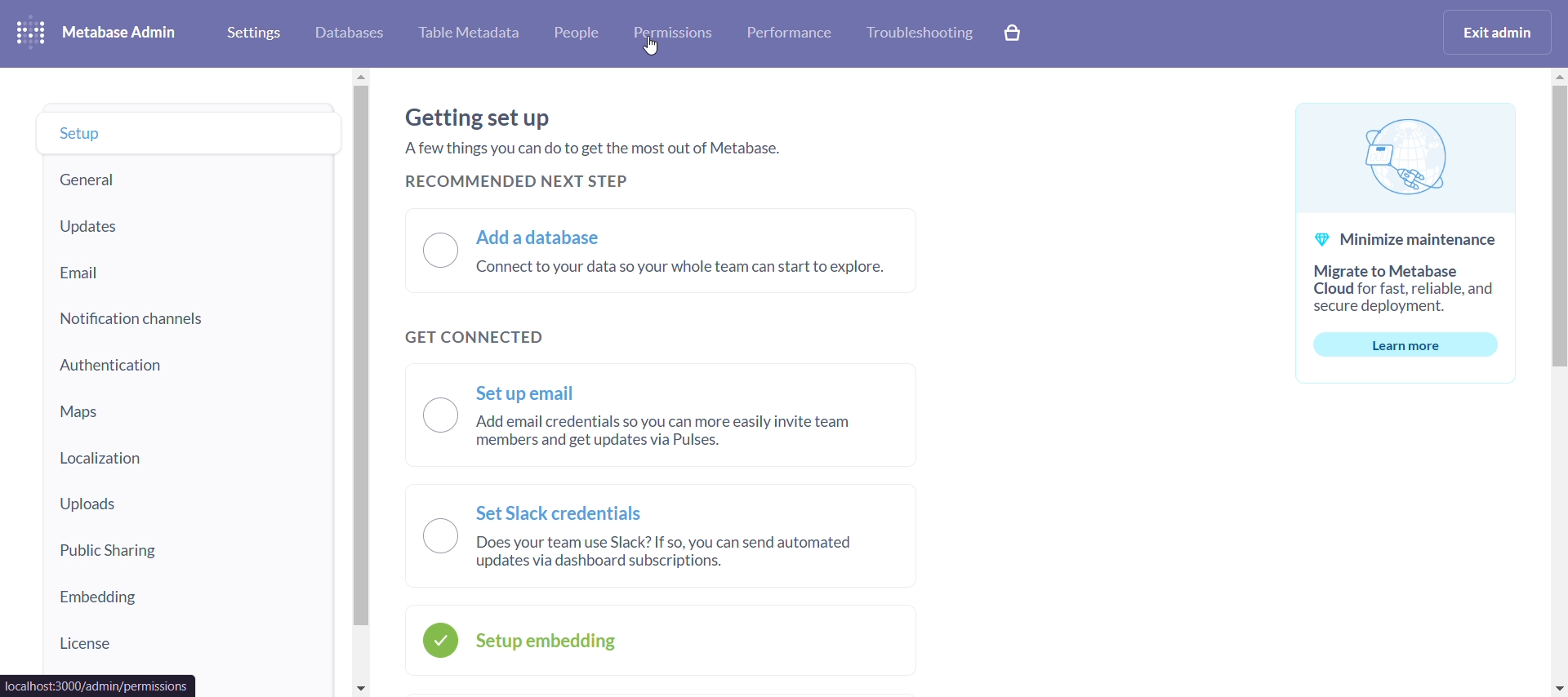 This screenshot has width=1568, height=697. Describe the element at coordinates (251, 33) in the screenshot. I see `settings` at that location.